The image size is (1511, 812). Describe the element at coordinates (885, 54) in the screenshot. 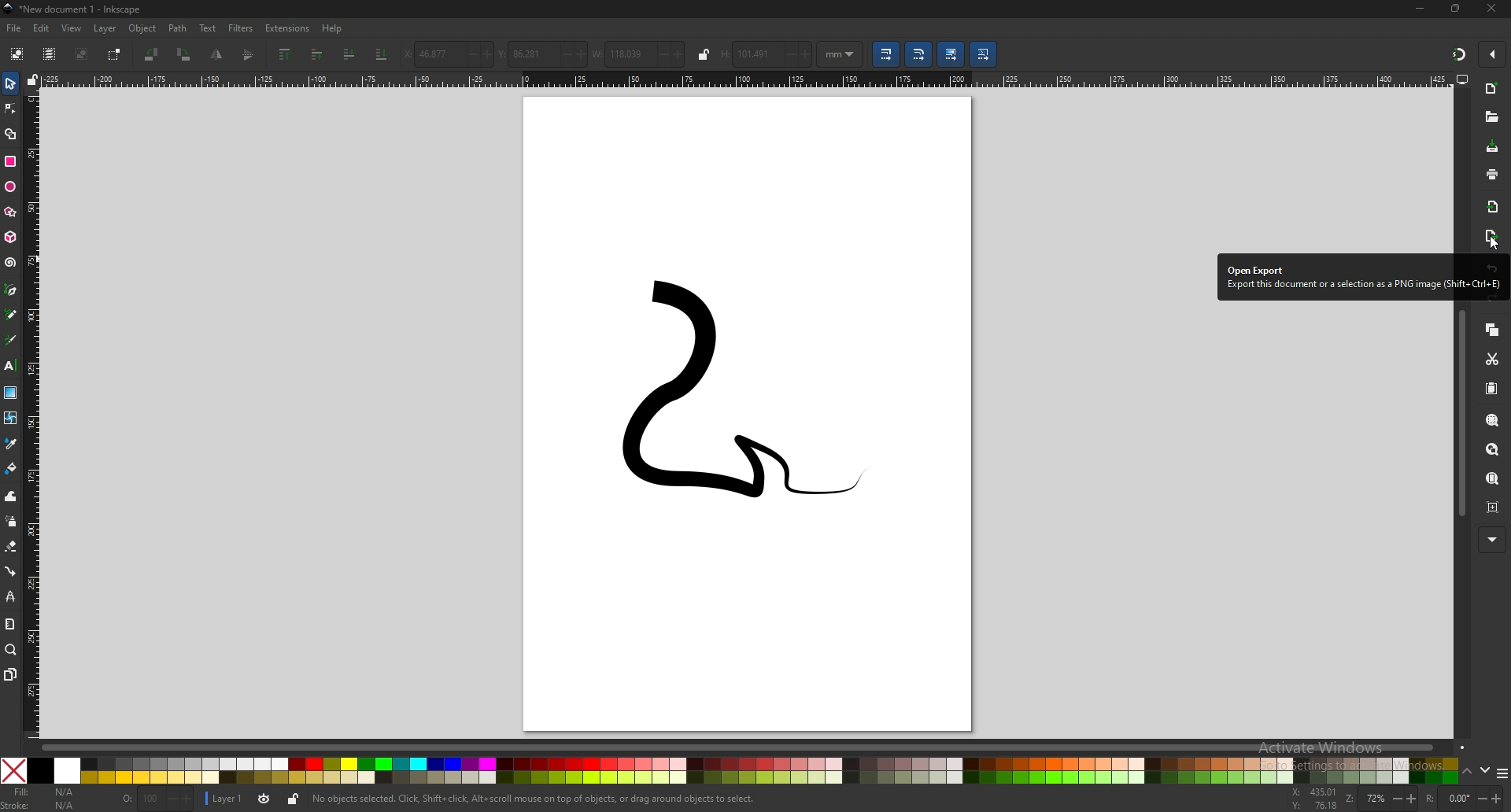

I see `scale stroke` at that location.